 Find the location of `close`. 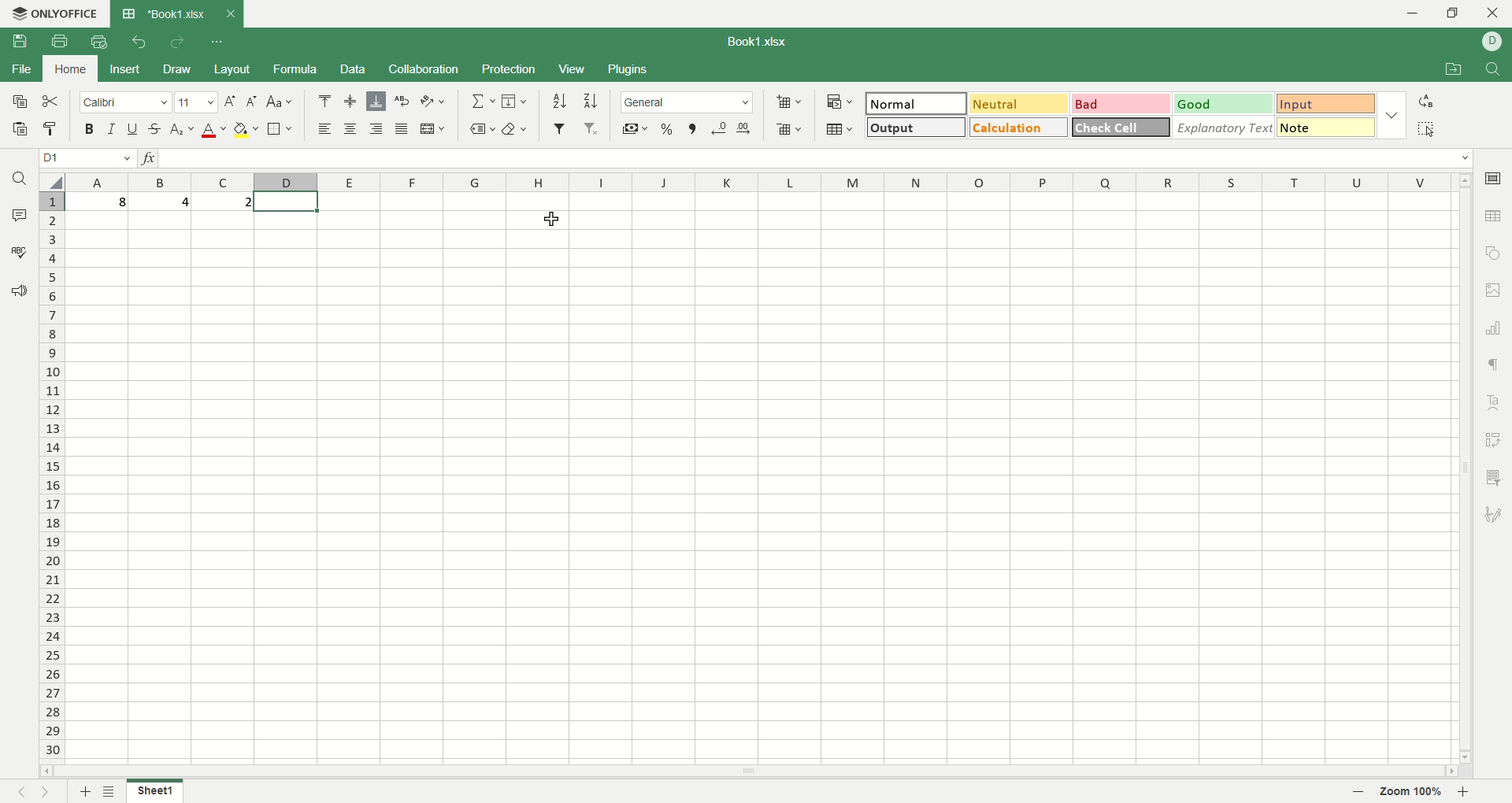

close is located at coordinates (230, 14).